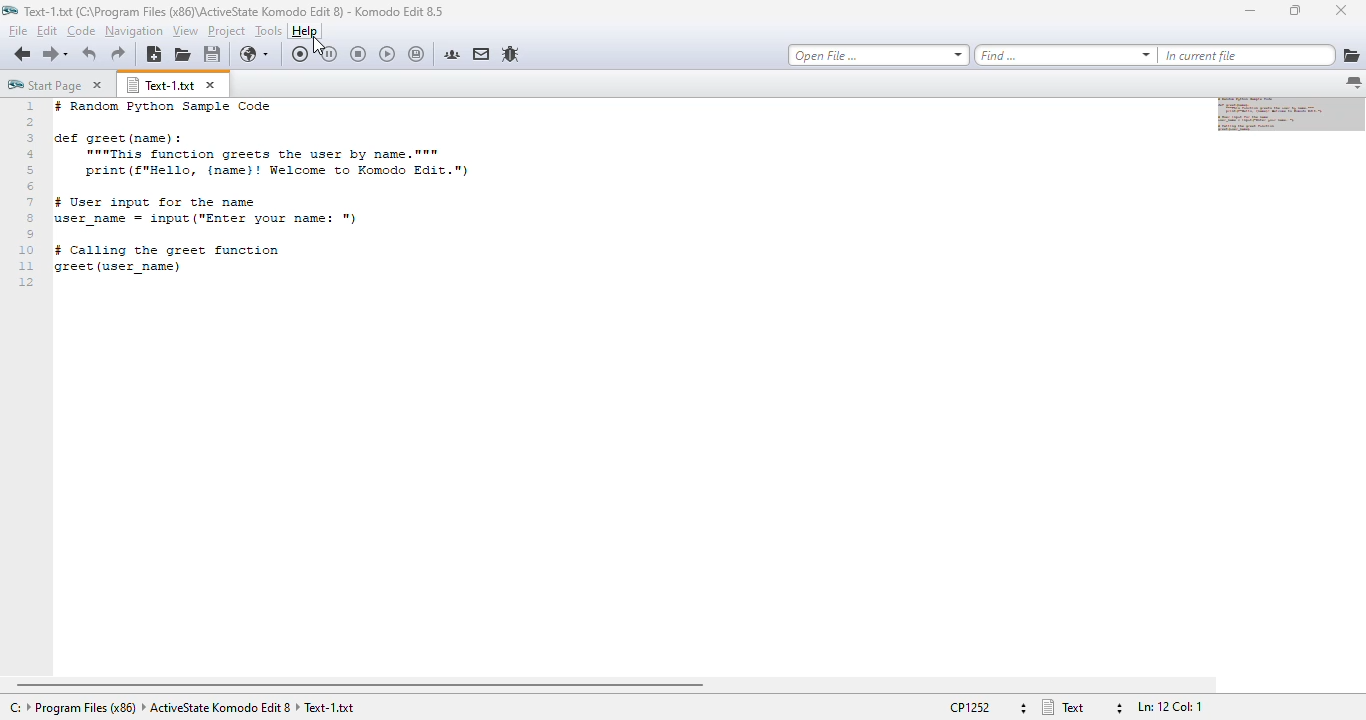 The image size is (1366, 720). I want to click on go forward one location, so click(49, 53).